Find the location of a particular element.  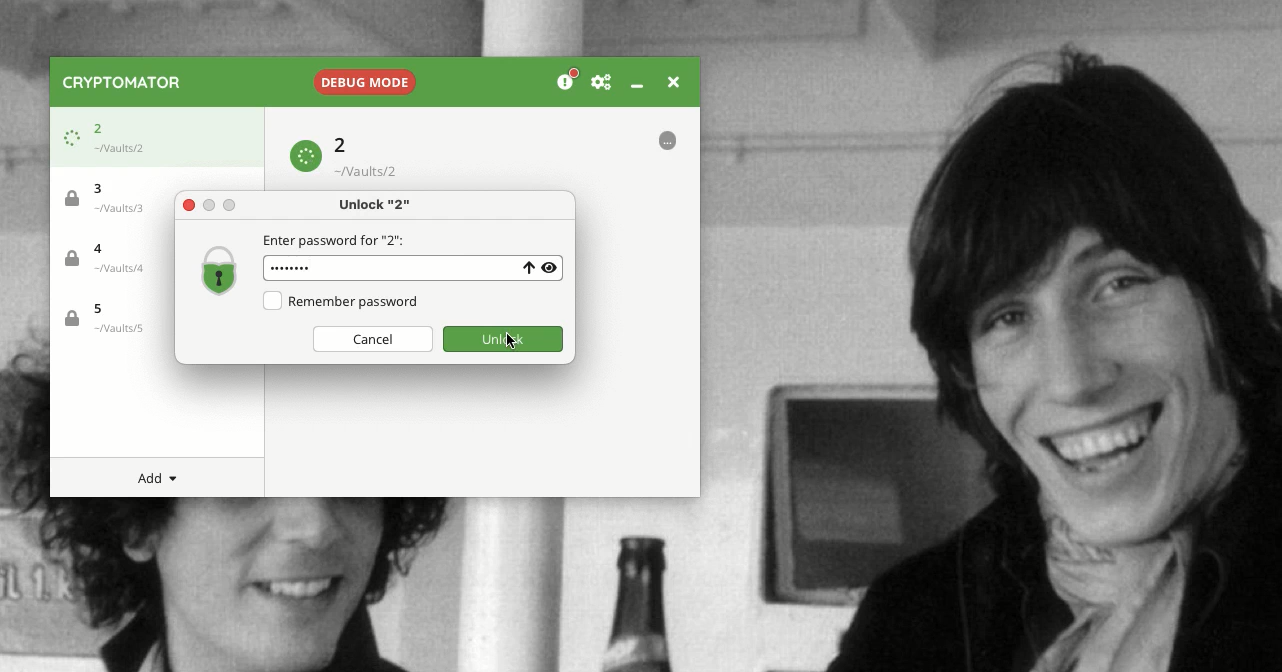

Clicking unlock is located at coordinates (503, 341).